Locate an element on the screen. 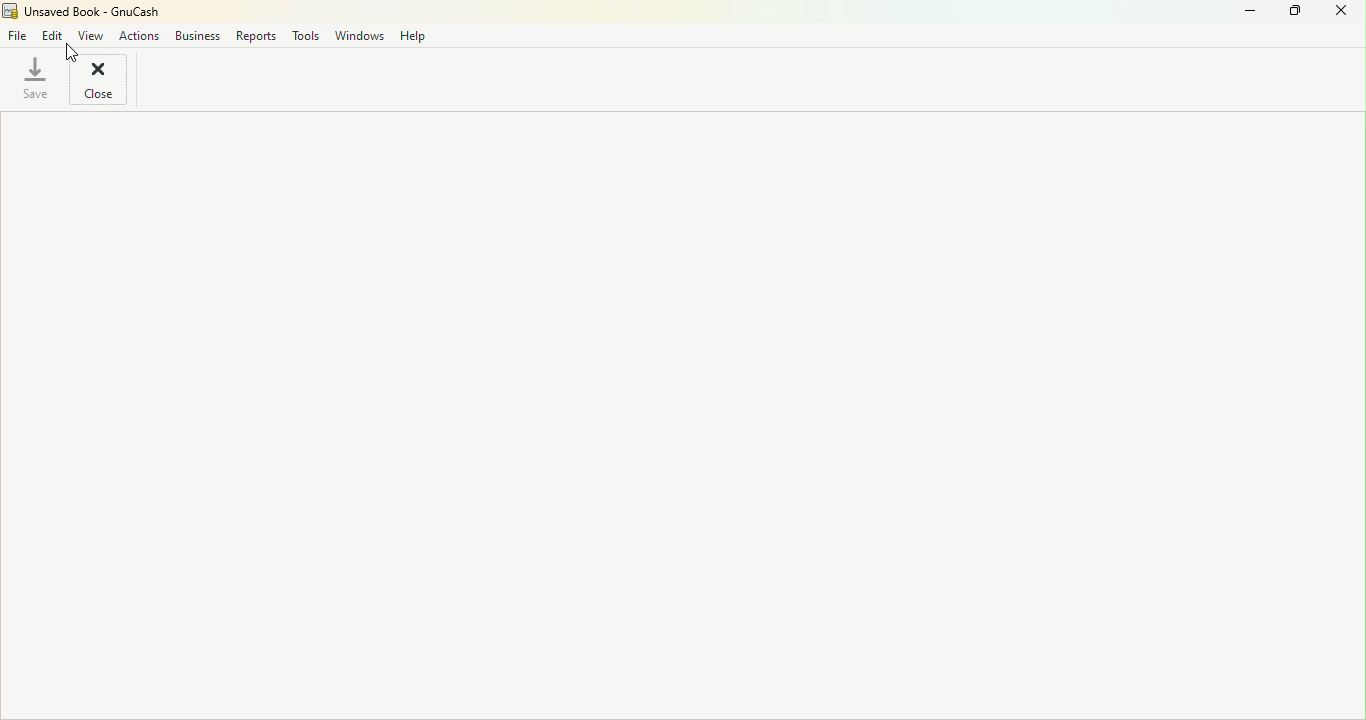 This screenshot has height=720, width=1366. File is located at coordinates (15, 35).